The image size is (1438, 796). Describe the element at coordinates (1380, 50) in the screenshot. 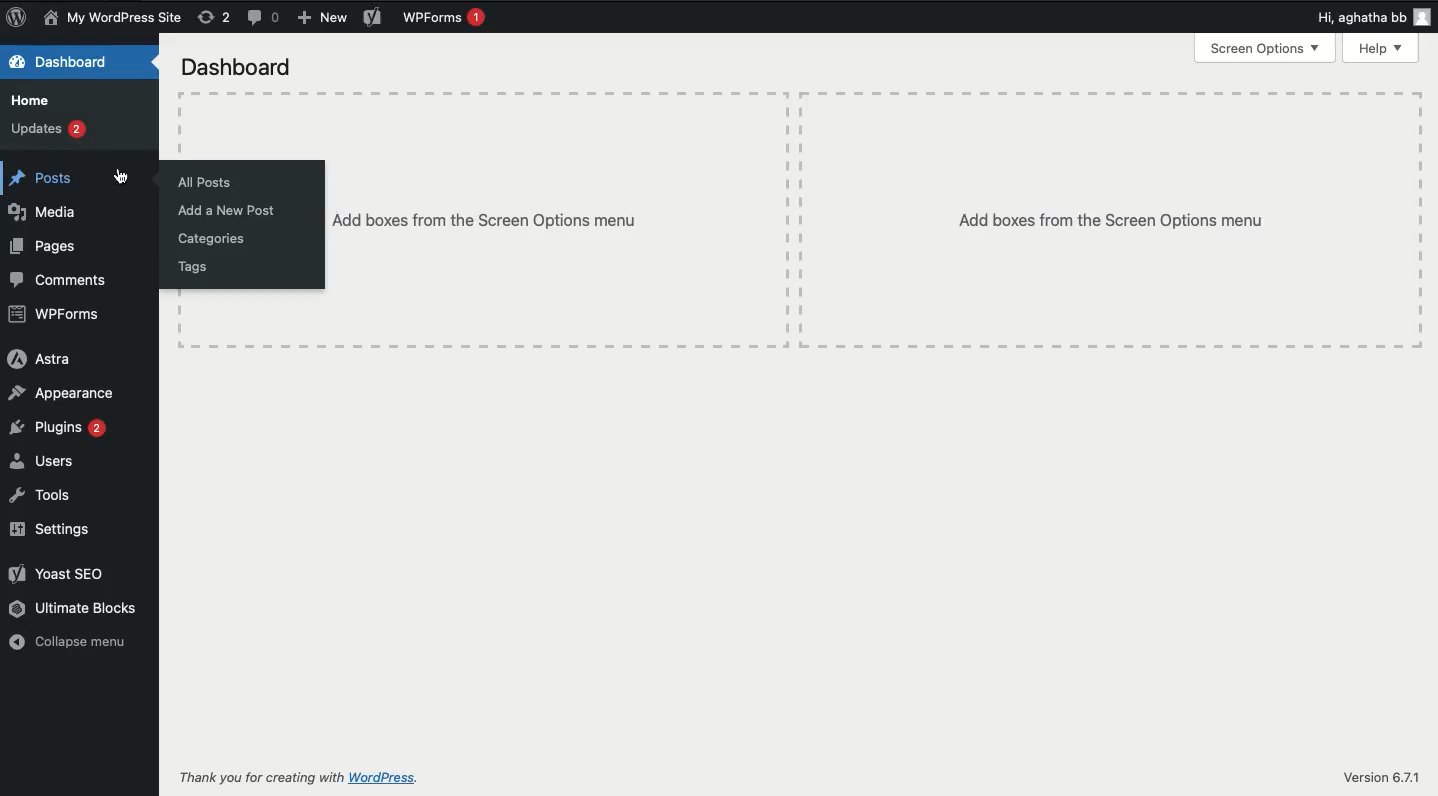

I see `Help` at that location.